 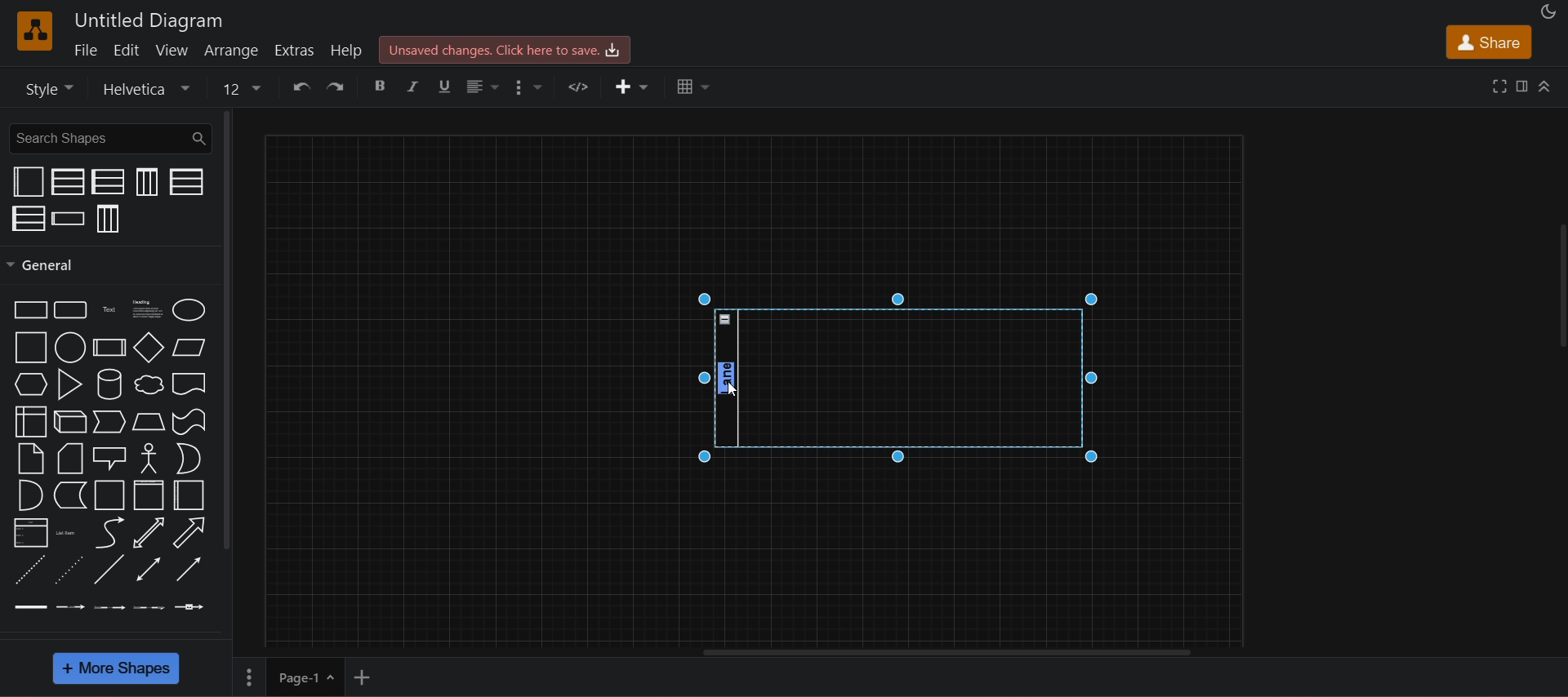 What do you see at coordinates (149, 421) in the screenshot?
I see `trapezoid` at bounding box center [149, 421].